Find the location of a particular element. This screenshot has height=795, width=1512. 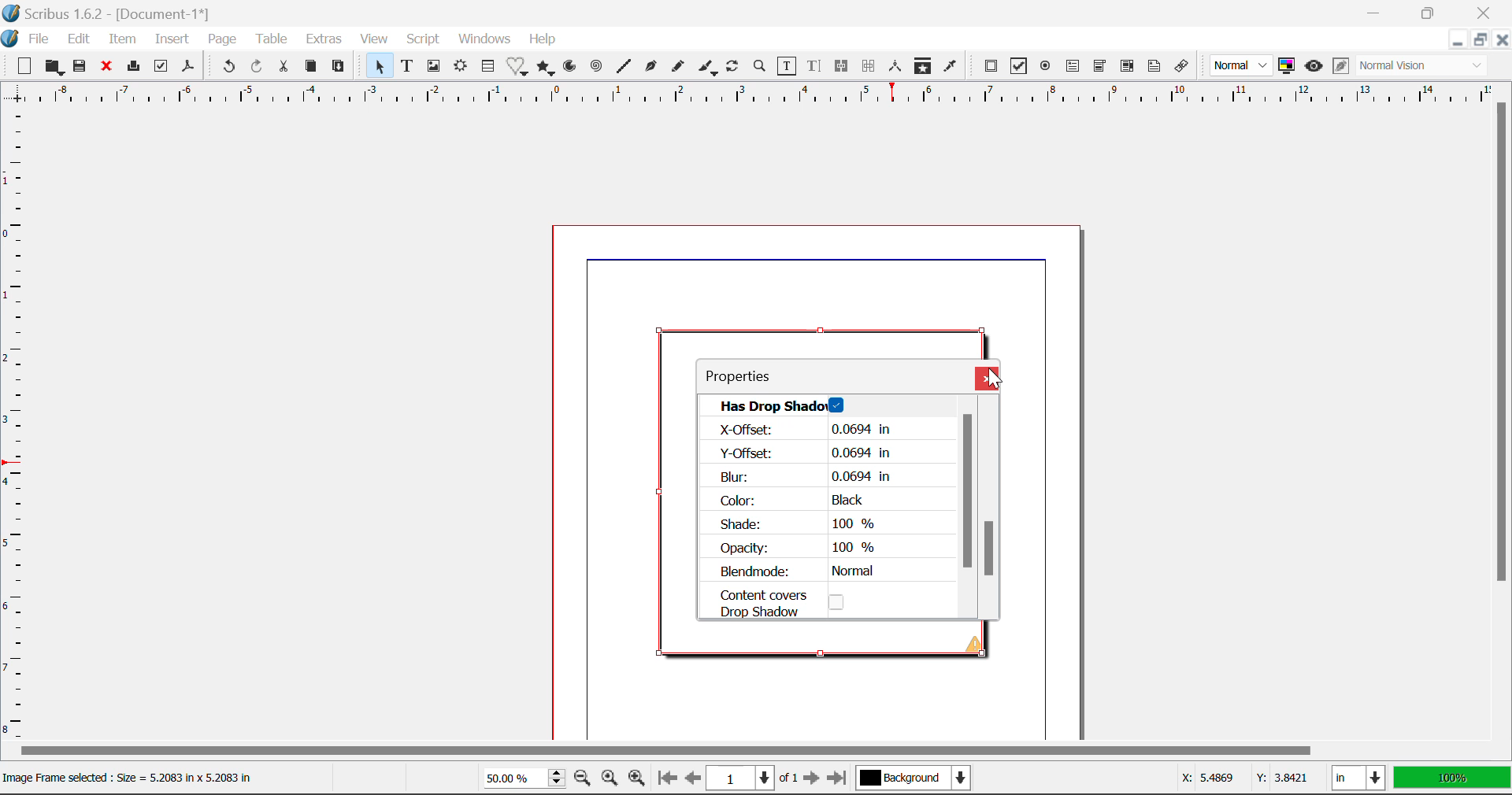

Render Frame is located at coordinates (462, 68).